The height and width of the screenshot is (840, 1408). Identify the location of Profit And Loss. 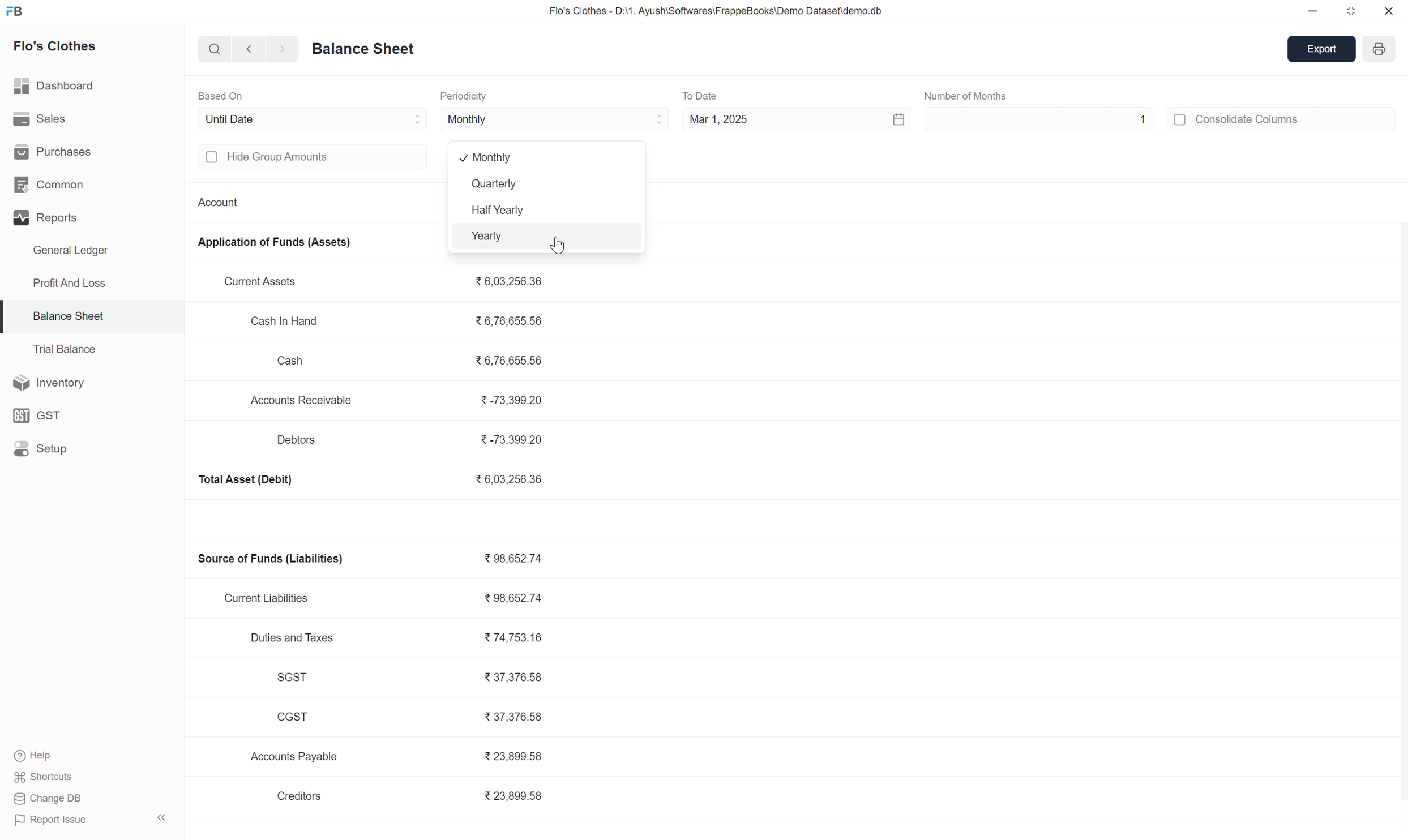
(74, 282).